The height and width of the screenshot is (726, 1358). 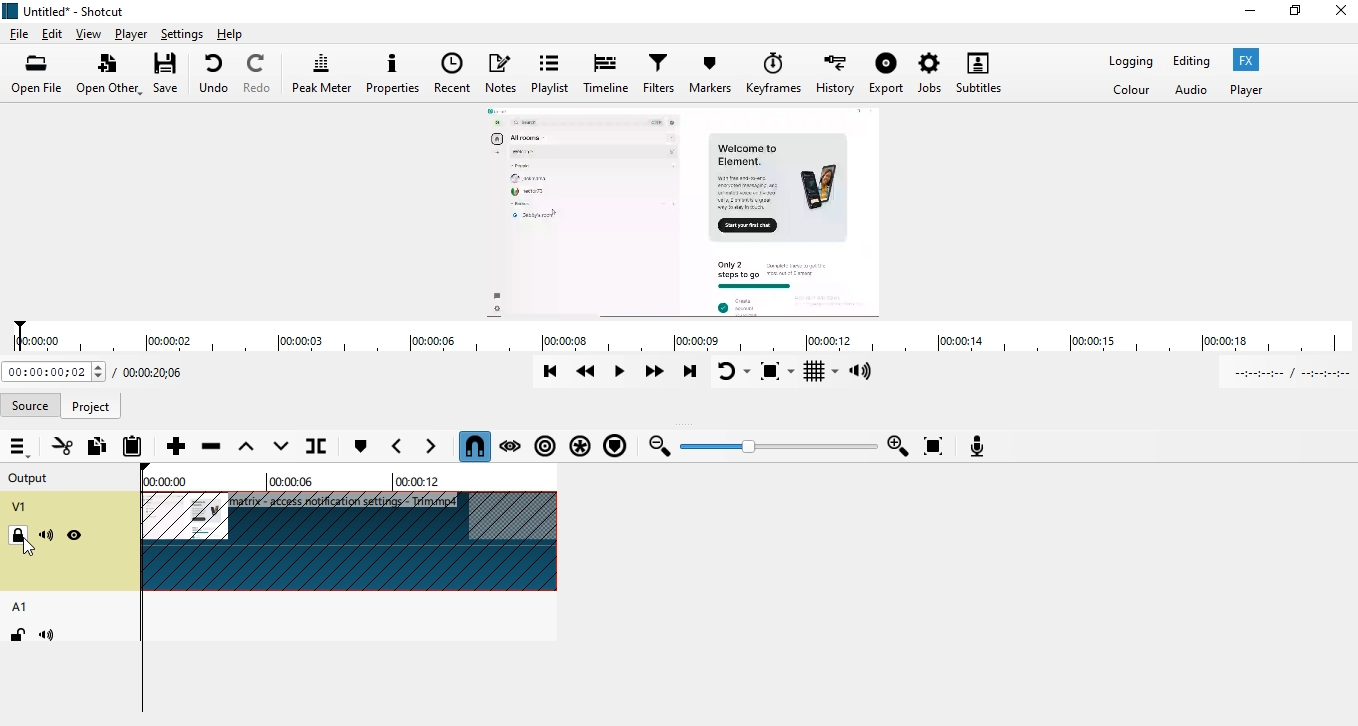 What do you see at coordinates (32, 477) in the screenshot?
I see `output` at bounding box center [32, 477].